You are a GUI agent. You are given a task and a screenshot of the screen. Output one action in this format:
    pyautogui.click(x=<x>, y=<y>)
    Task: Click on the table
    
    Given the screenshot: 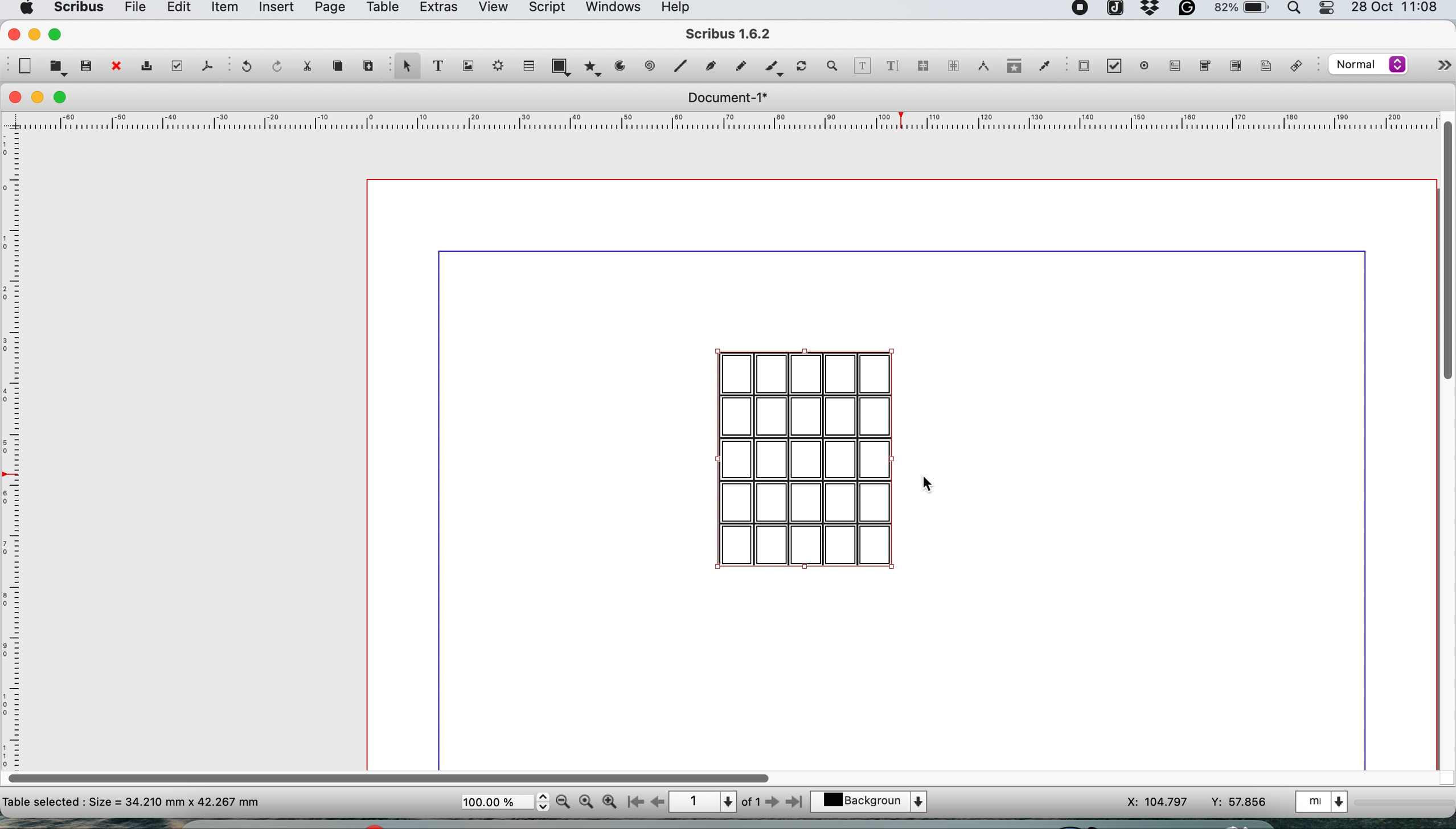 What is the action you would take?
    pyautogui.click(x=527, y=65)
    